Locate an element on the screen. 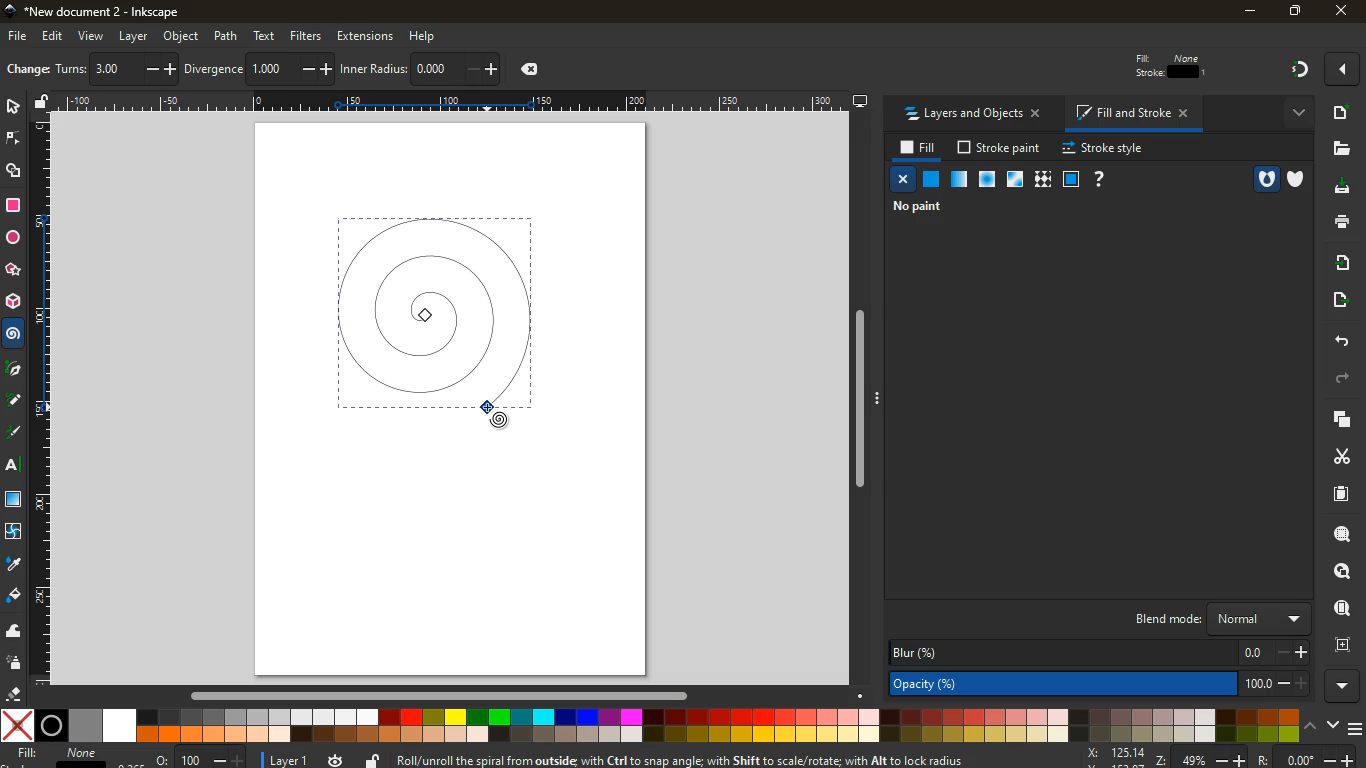  screen is located at coordinates (1072, 180).